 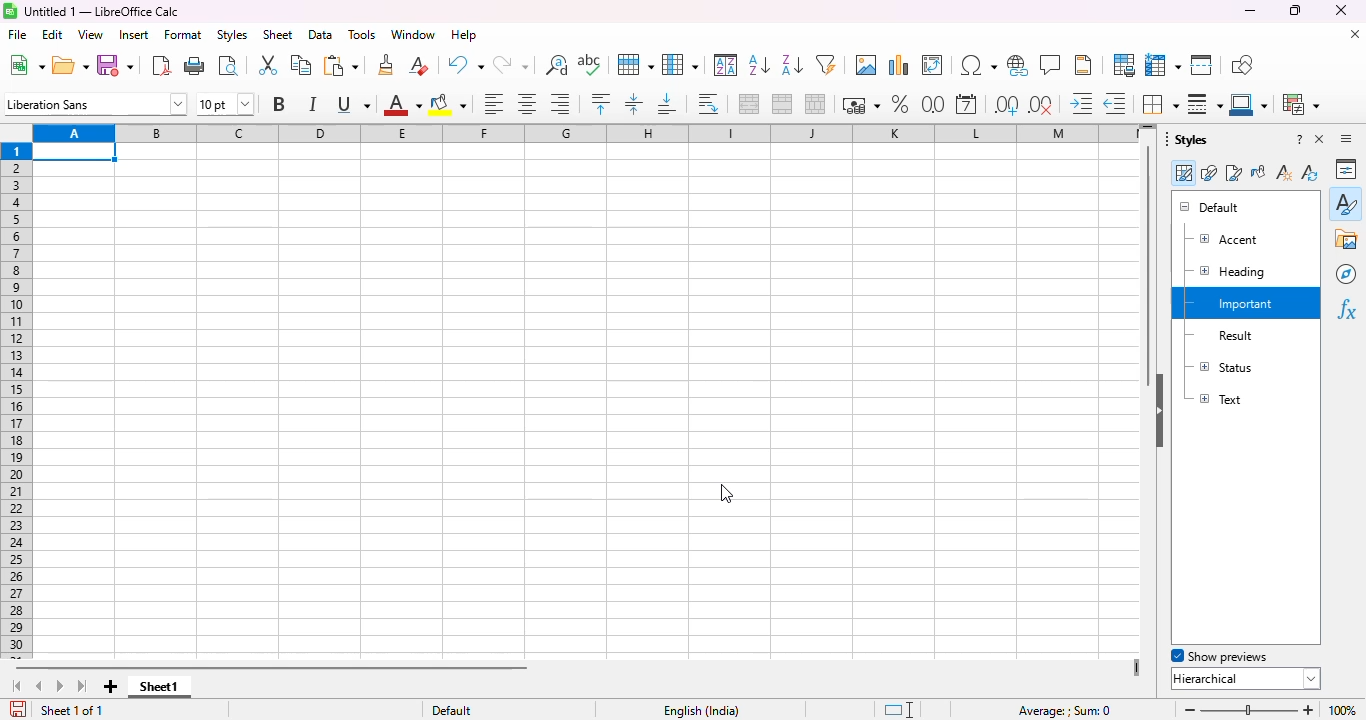 I want to click on align right, so click(x=559, y=103).